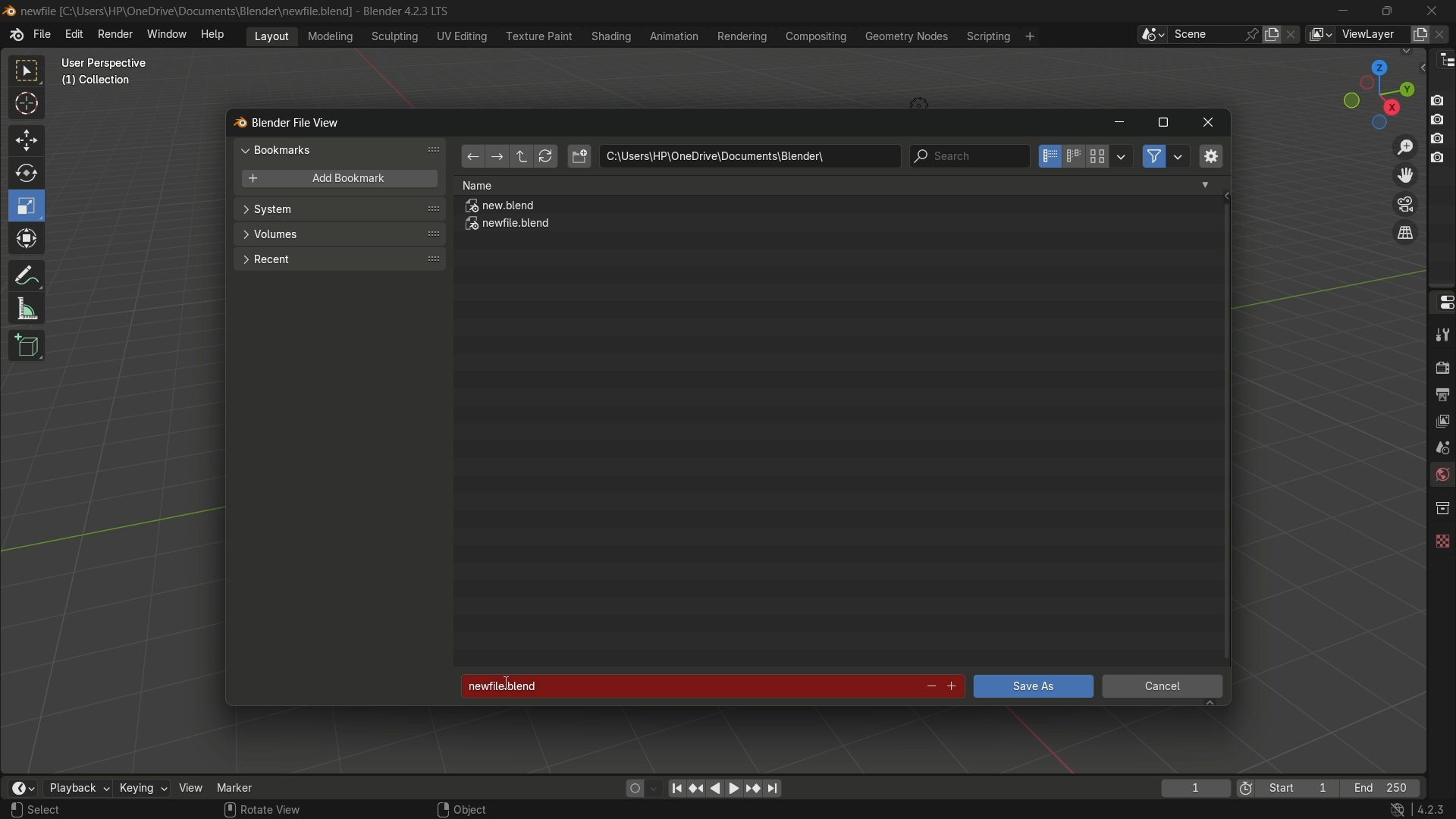  Describe the element at coordinates (1122, 155) in the screenshot. I see `display settings` at that location.